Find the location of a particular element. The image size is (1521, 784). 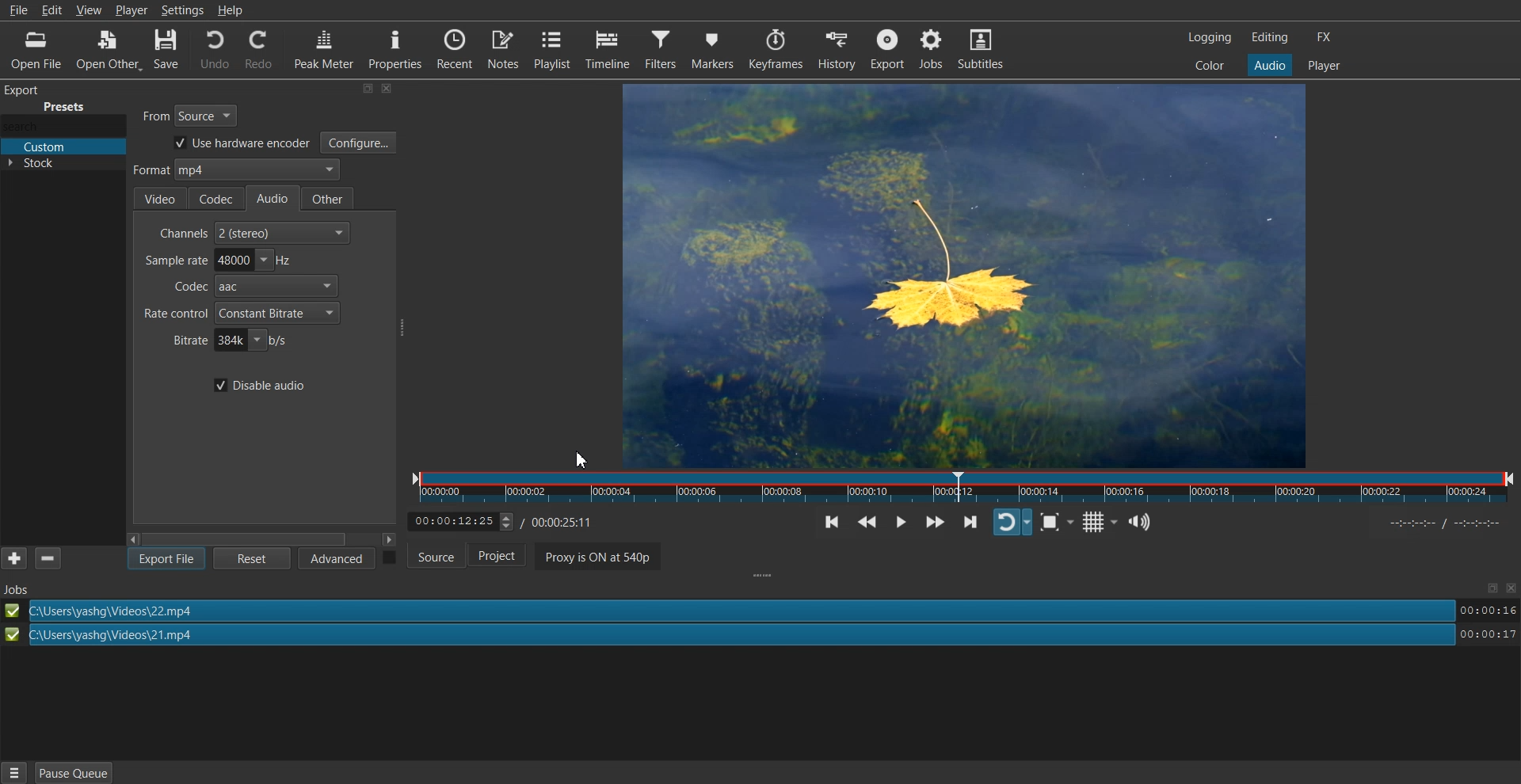

Export is located at coordinates (889, 48).